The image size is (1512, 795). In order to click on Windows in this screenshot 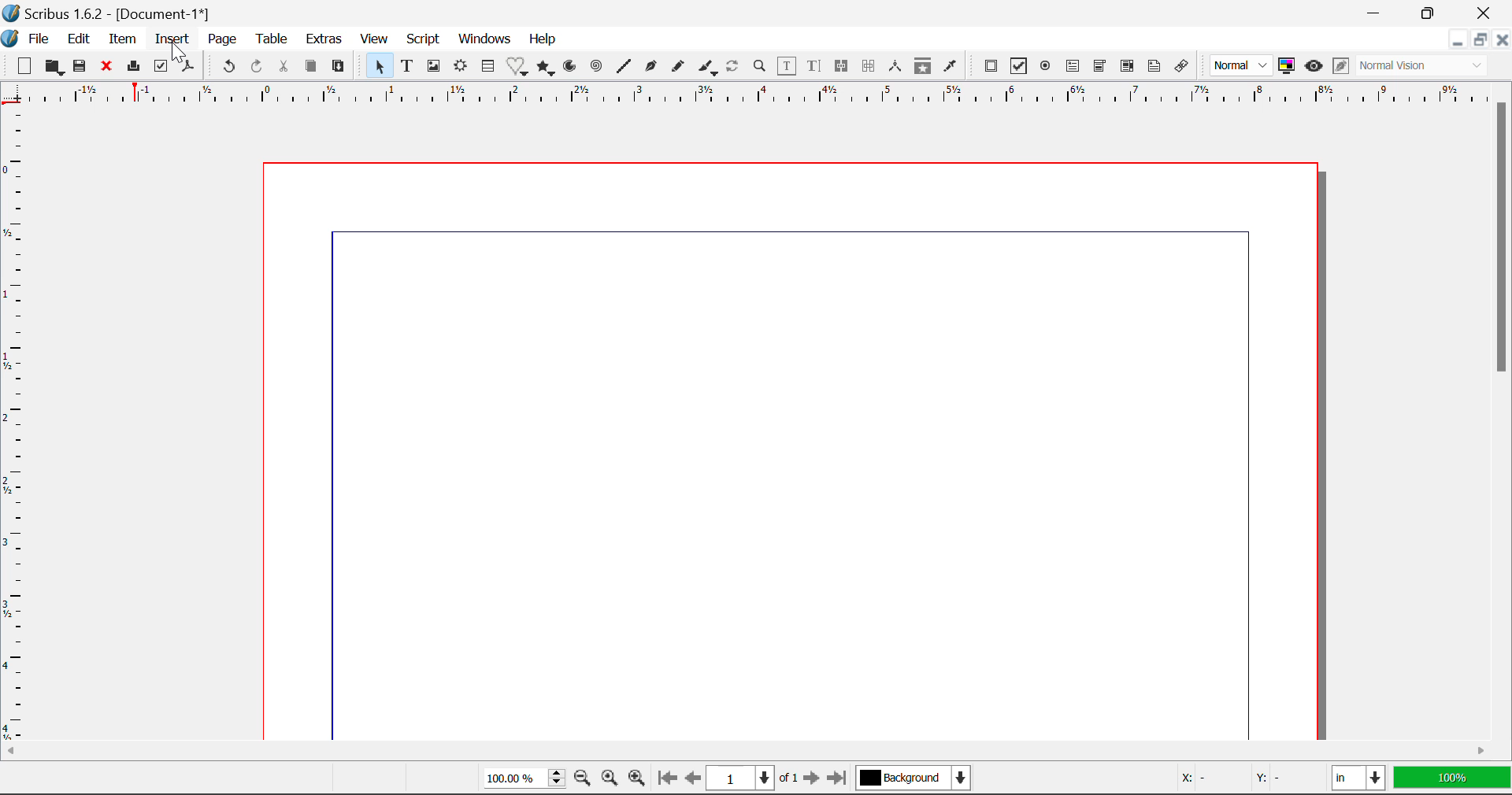, I will do `click(485, 39)`.